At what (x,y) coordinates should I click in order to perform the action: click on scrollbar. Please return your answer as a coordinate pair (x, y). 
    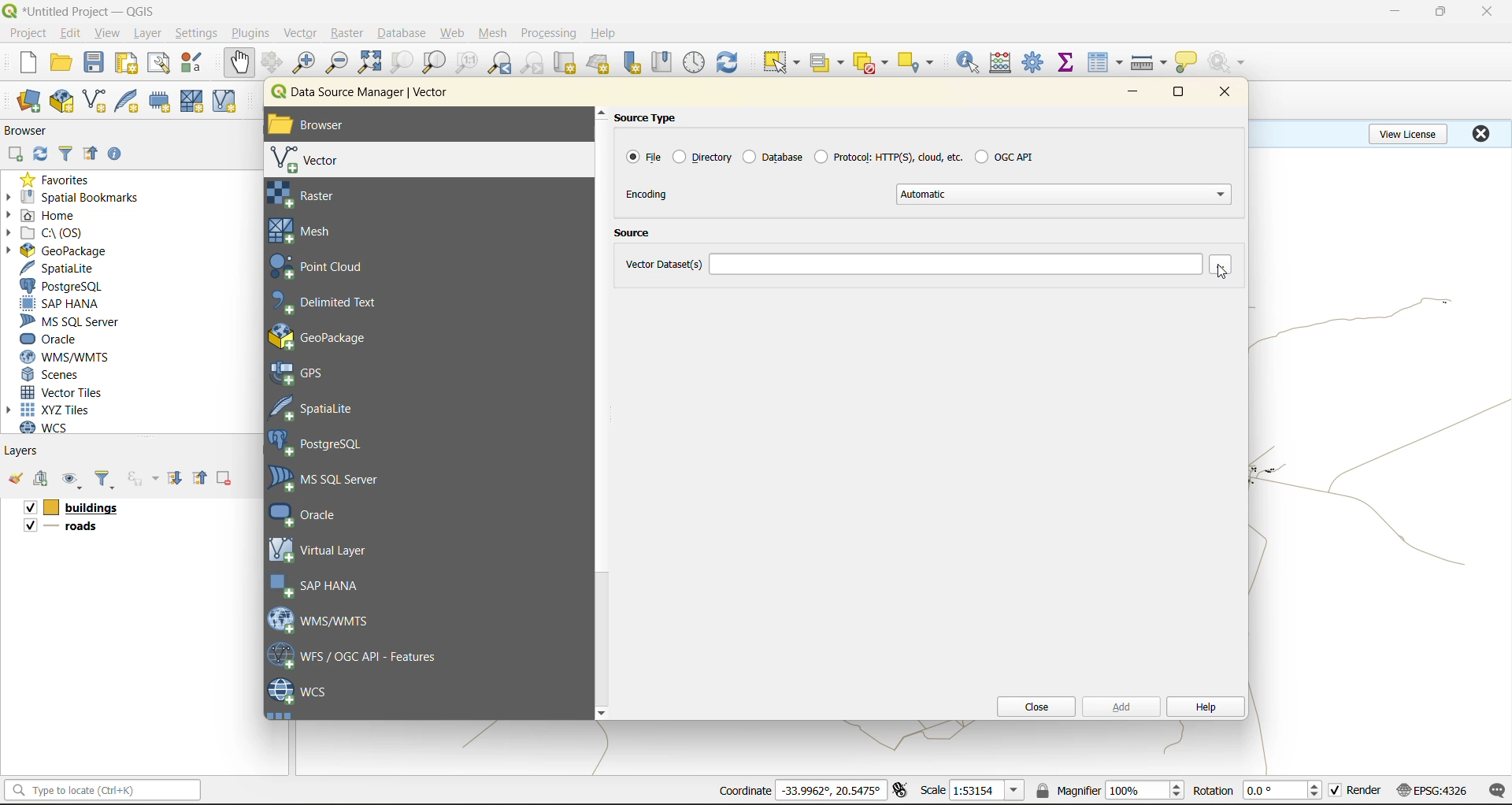
    Looking at the image, I should click on (602, 413).